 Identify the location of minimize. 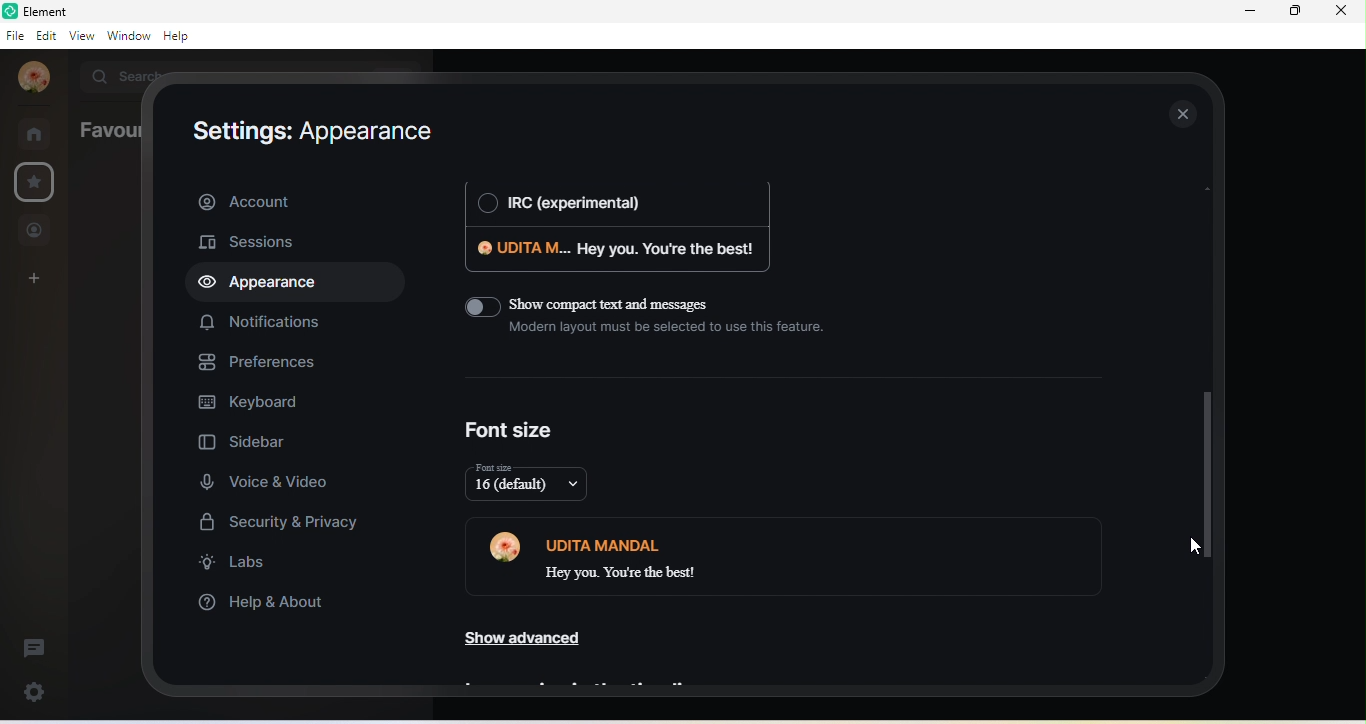
(1250, 12).